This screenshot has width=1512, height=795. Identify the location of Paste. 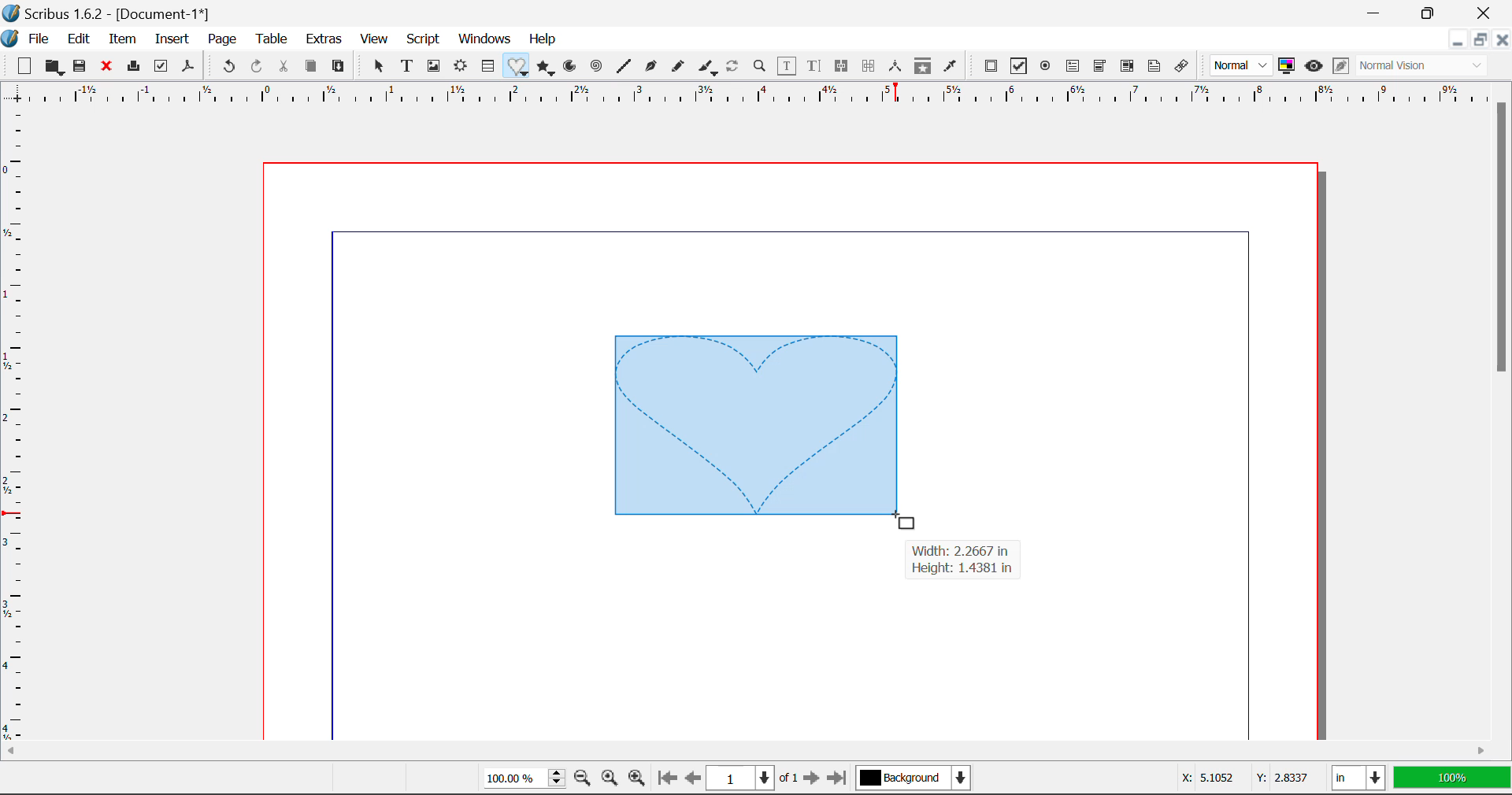
(342, 65).